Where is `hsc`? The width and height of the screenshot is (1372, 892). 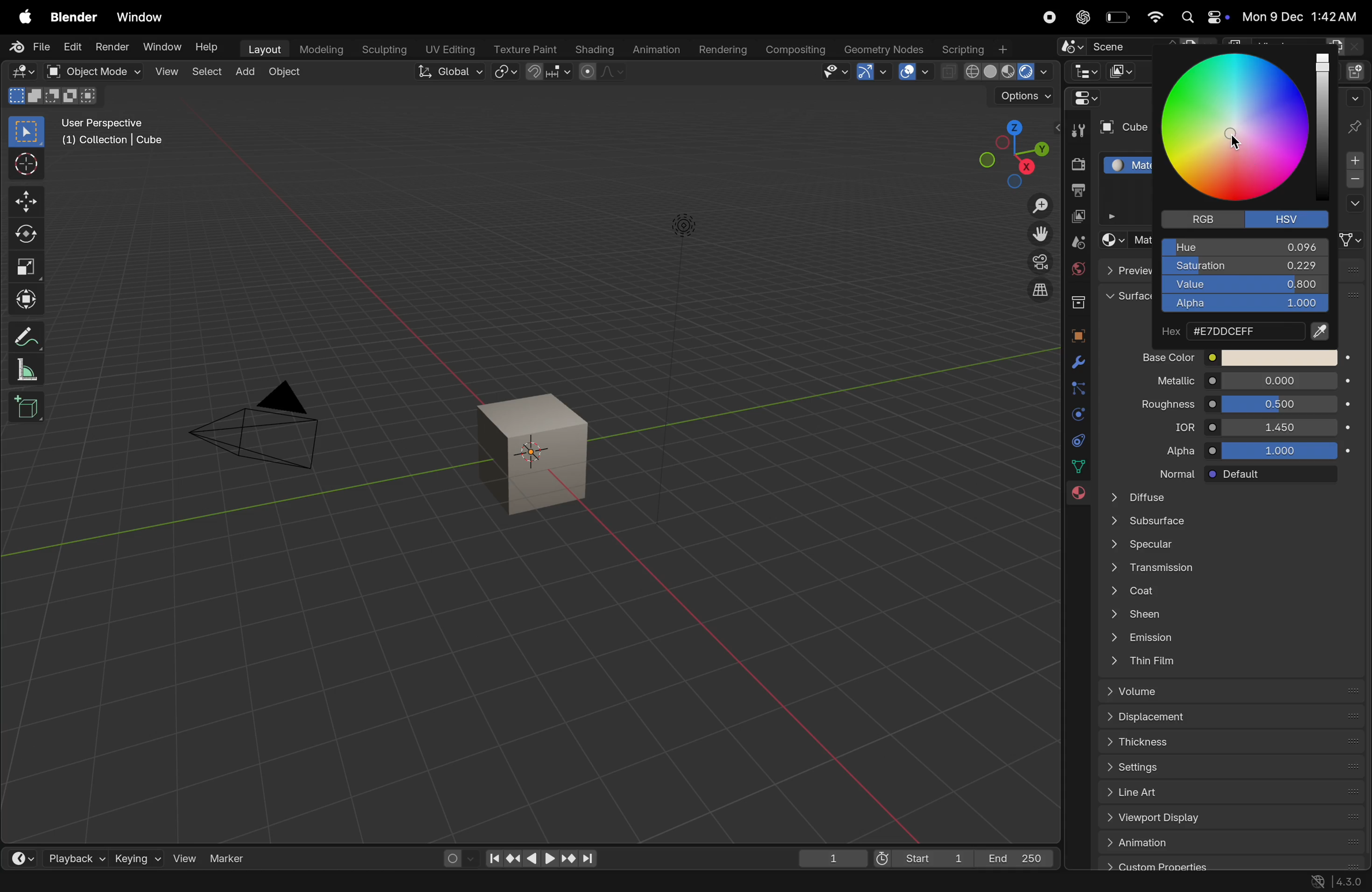
hsc is located at coordinates (1292, 218).